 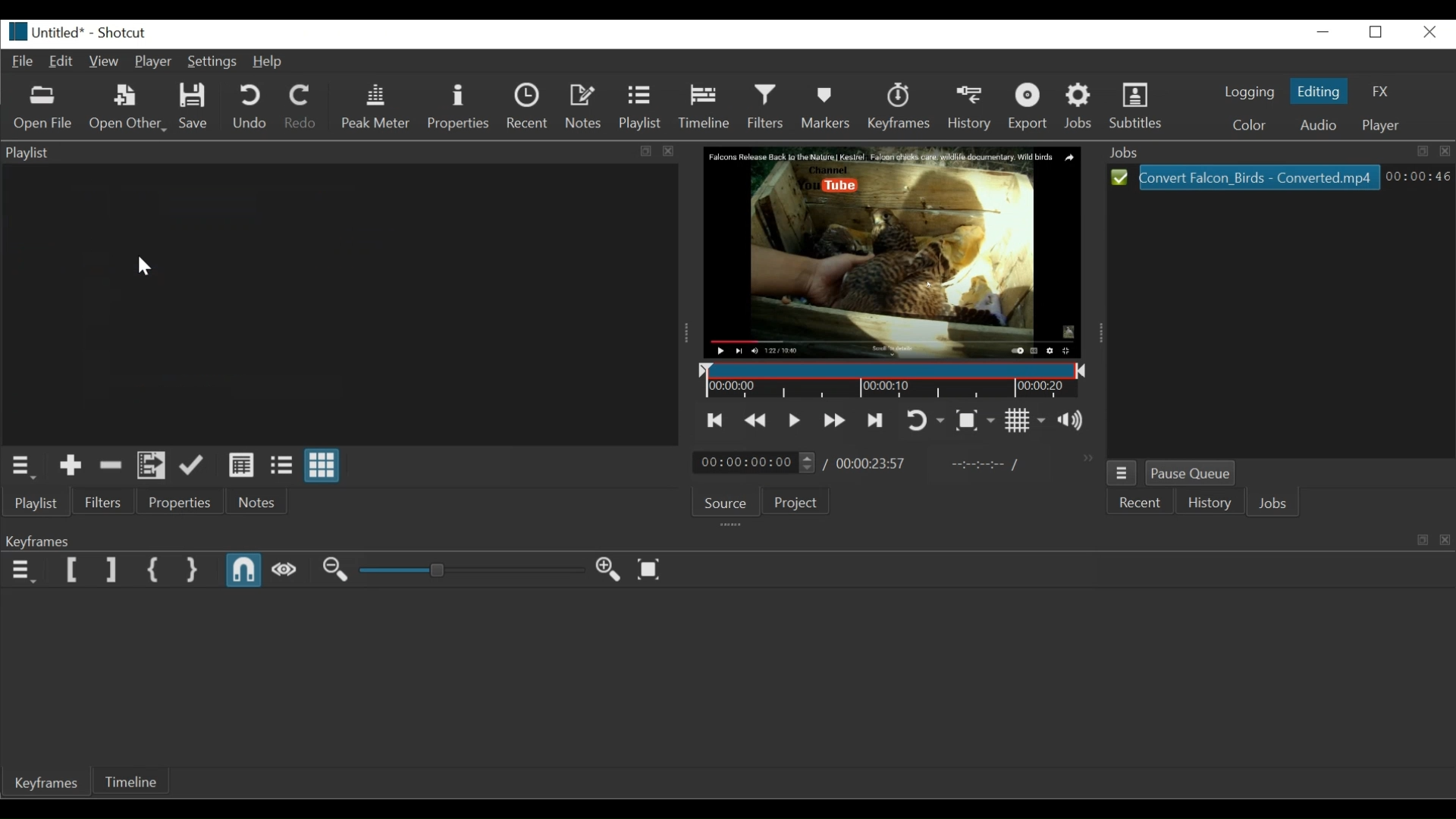 I want to click on View, so click(x=104, y=60).